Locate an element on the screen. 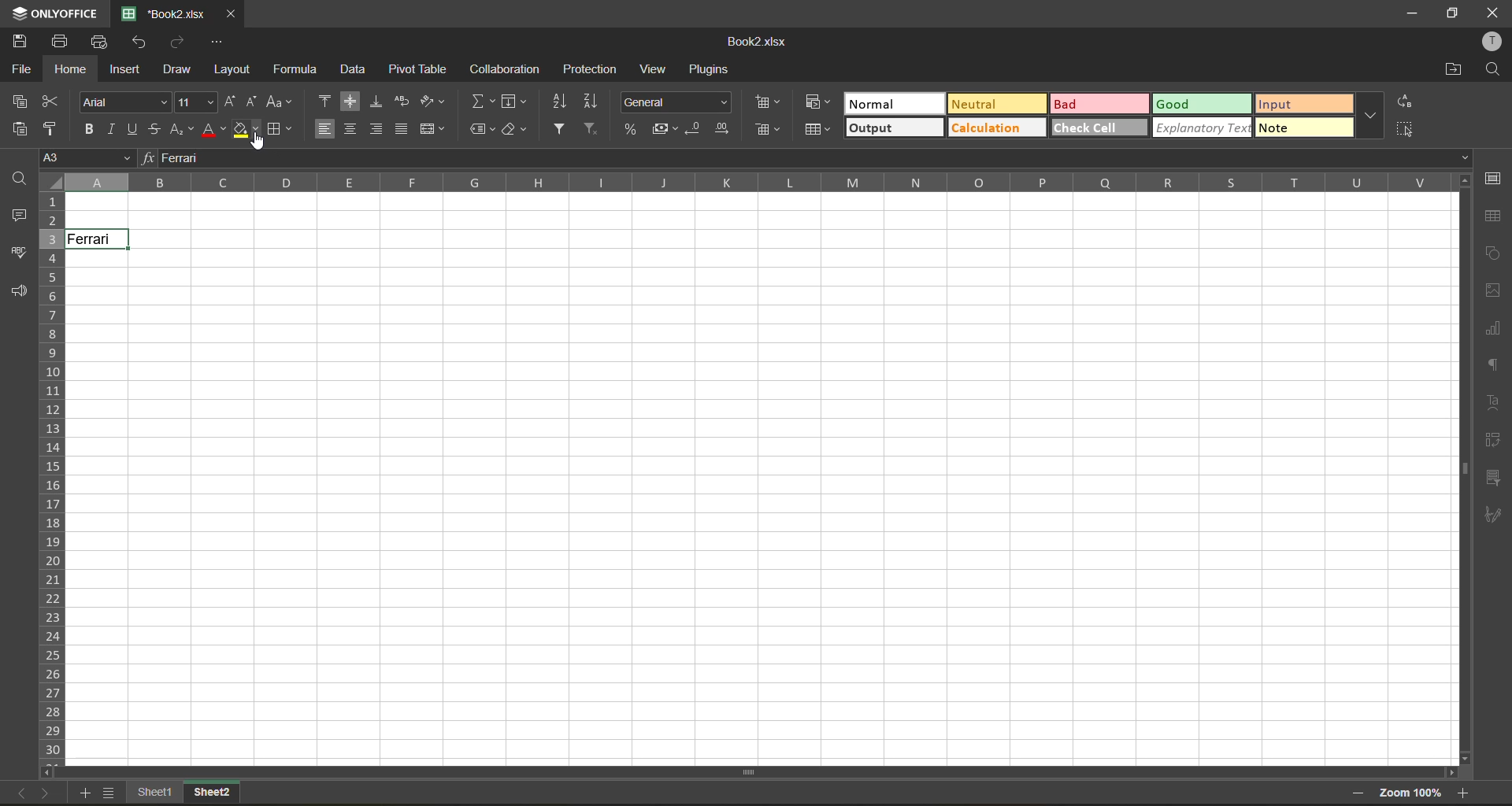 The image size is (1512, 806). conditional formatting is located at coordinates (813, 103).